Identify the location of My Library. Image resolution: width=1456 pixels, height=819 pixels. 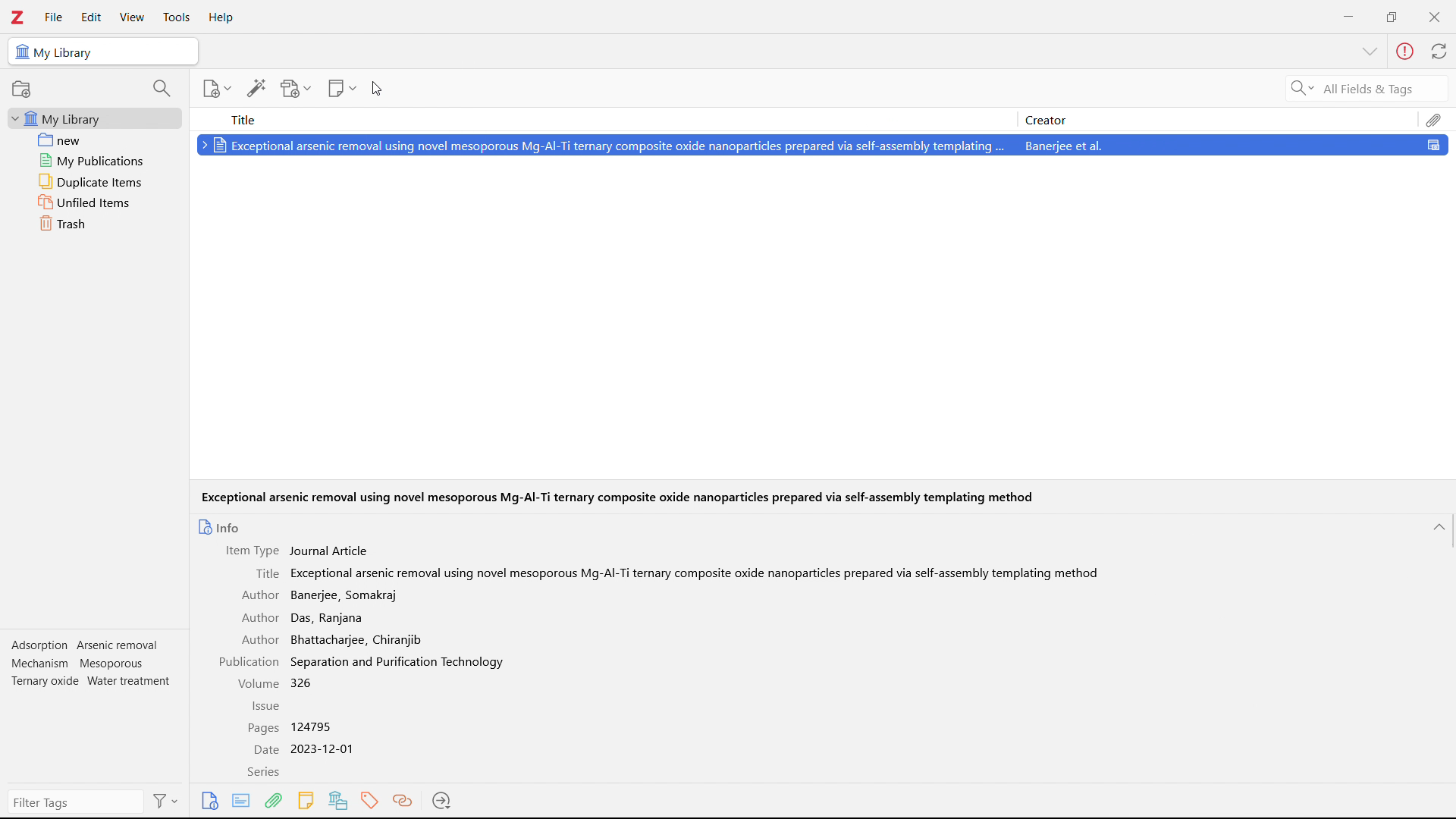
(104, 52).